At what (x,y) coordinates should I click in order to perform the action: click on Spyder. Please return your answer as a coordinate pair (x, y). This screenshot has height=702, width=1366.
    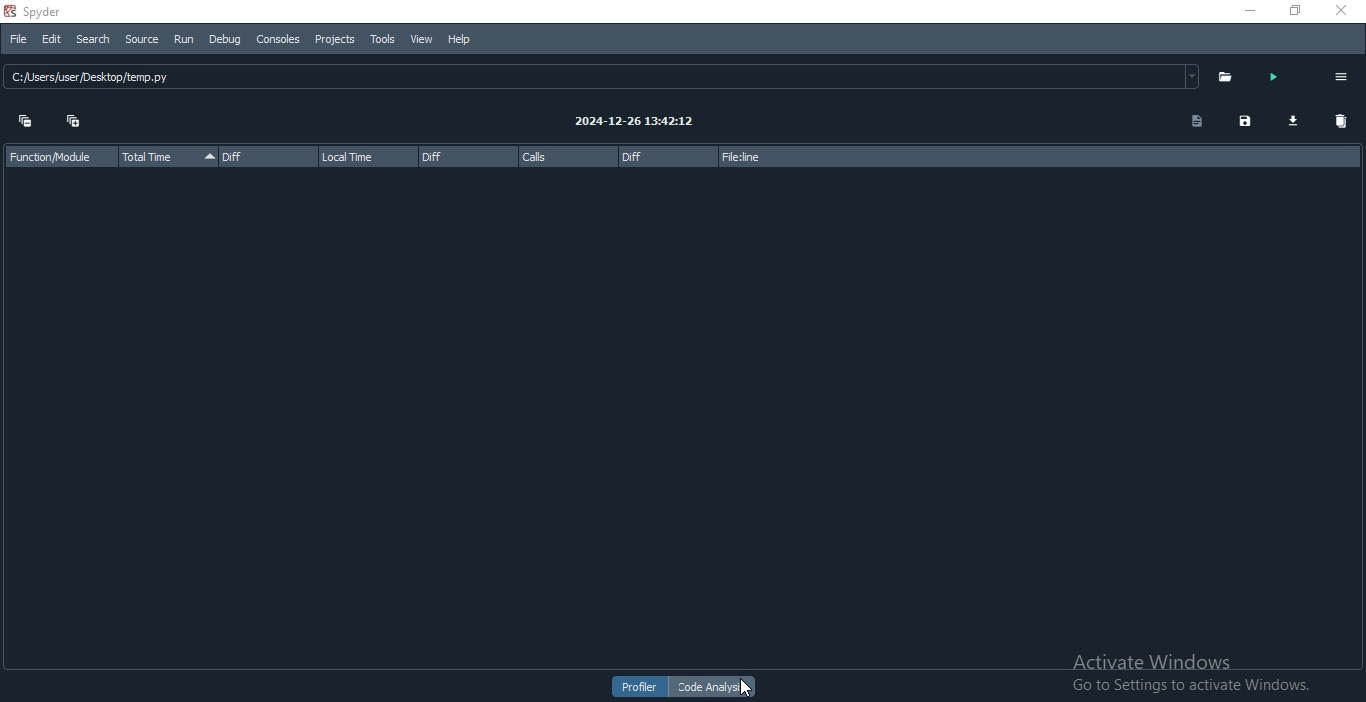
    Looking at the image, I should click on (73, 12).